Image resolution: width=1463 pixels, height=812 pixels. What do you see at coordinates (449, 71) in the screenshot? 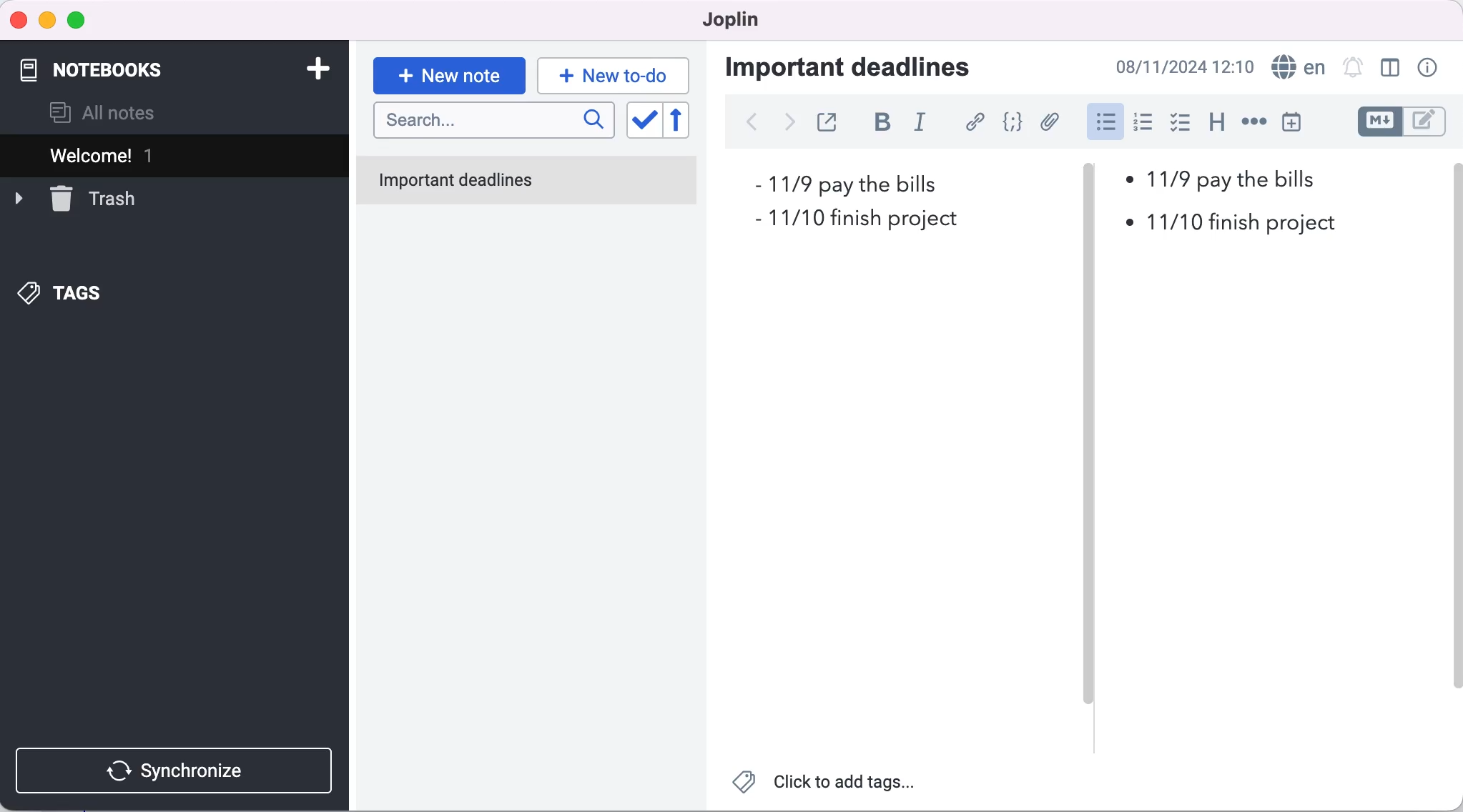
I see `new note` at bounding box center [449, 71].